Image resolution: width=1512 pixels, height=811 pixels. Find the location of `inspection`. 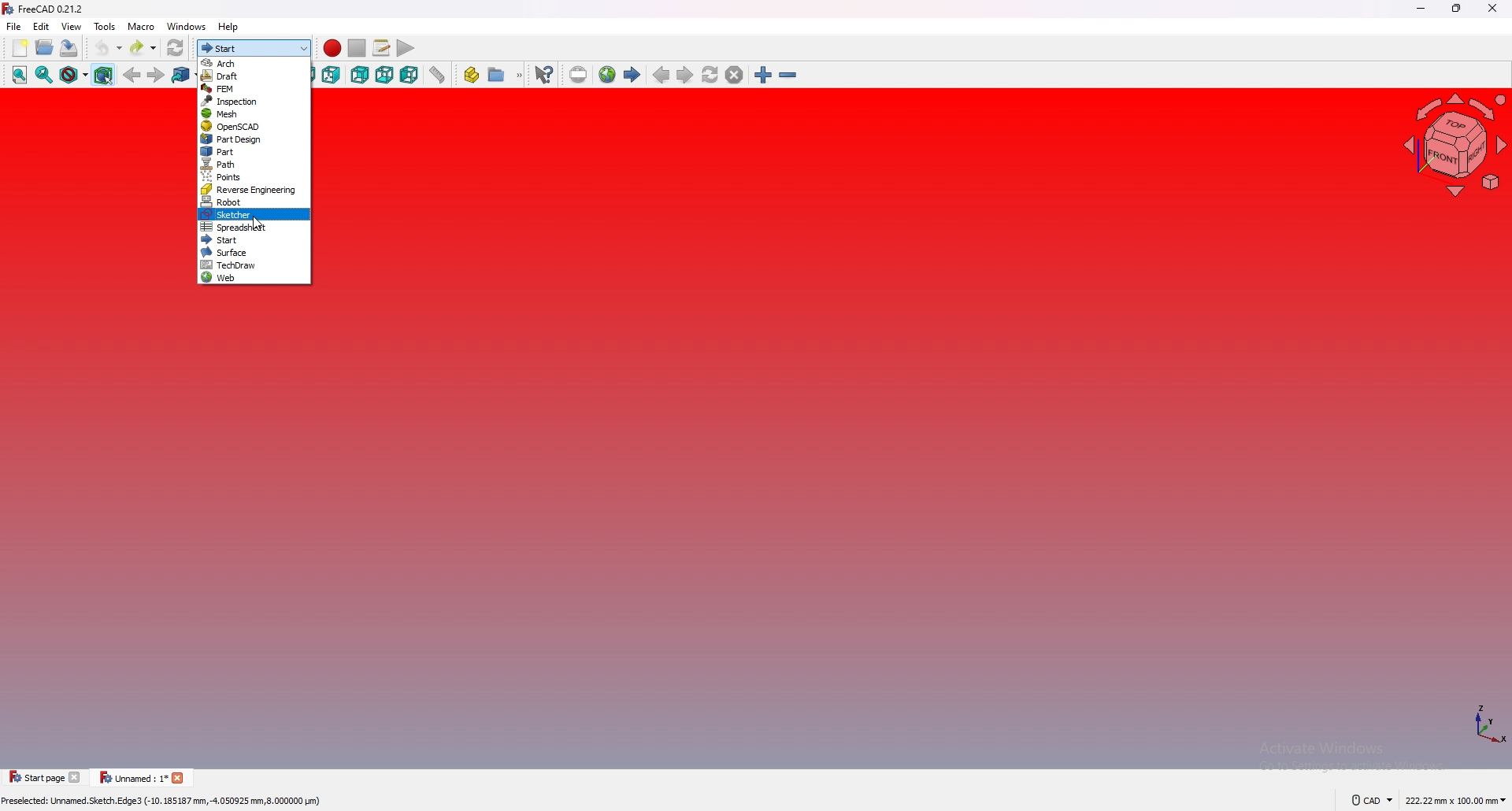

inspection is located at coordinates (254, 100).